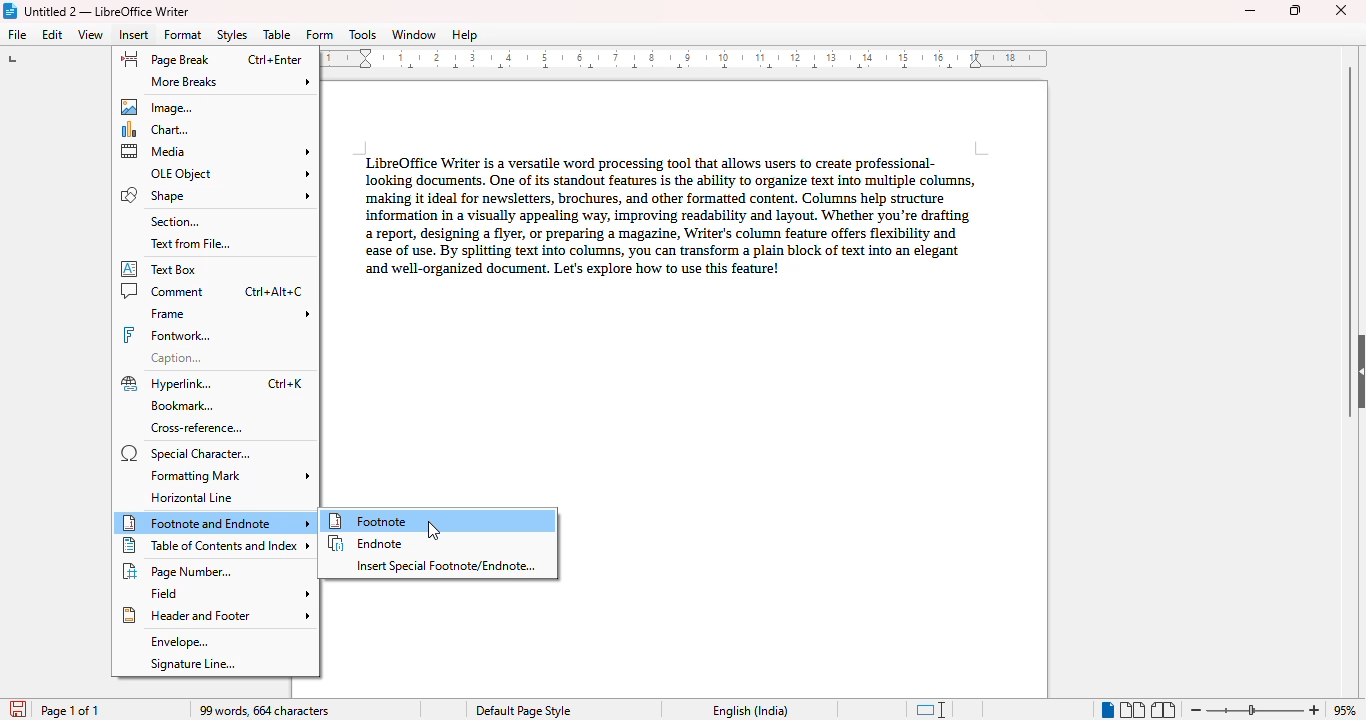  What do you see at coordinates (190, 245) in the screenshot?
I see `text from file` at bounding box center [190, 245].